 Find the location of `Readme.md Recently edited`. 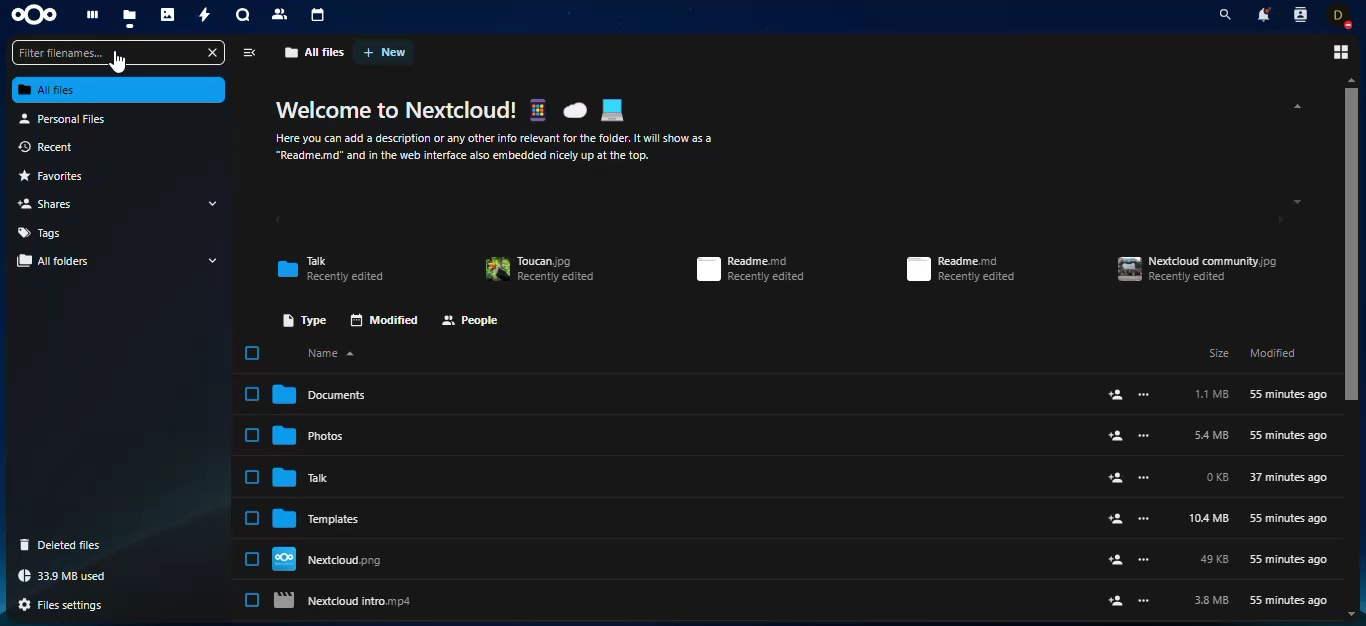

Readme.md Recently edited is located at coordinates (961, 269).